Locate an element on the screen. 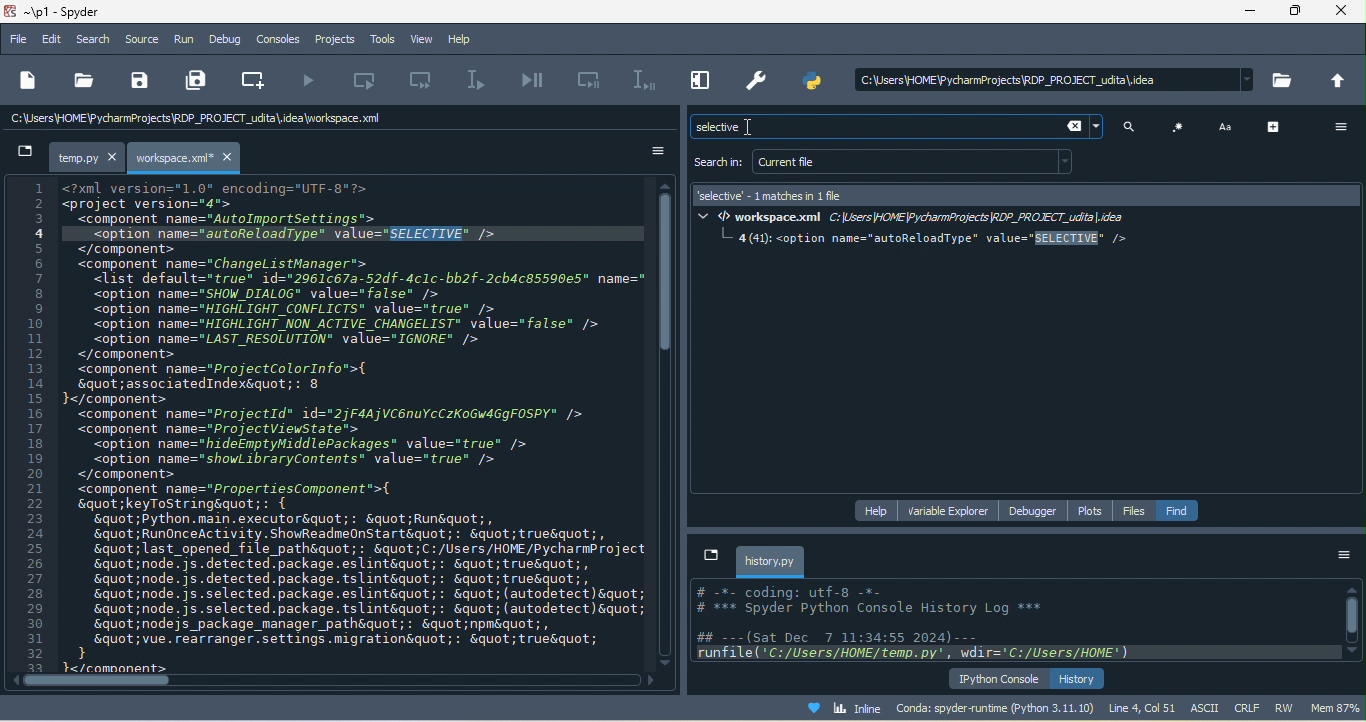 The image size is (1366, 722). history.py tab is located at coordinates (771, 561).